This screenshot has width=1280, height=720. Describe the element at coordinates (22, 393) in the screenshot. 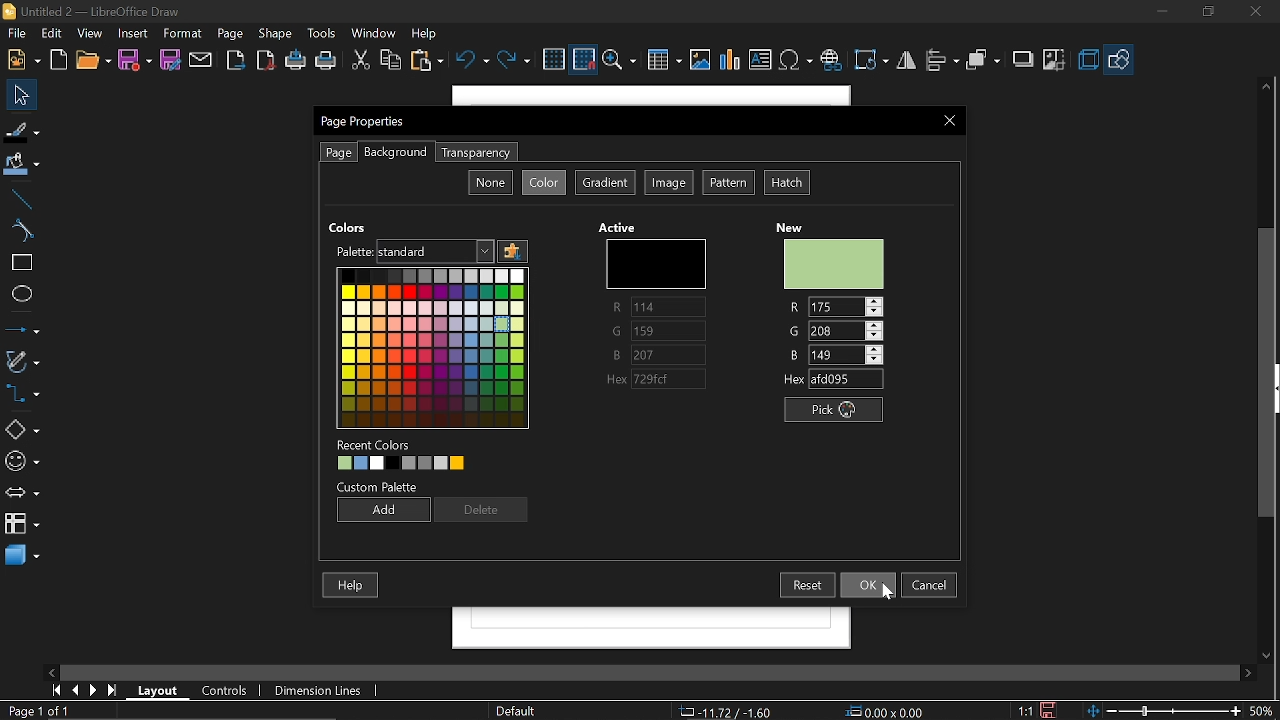

I see `Connectors` at that location.